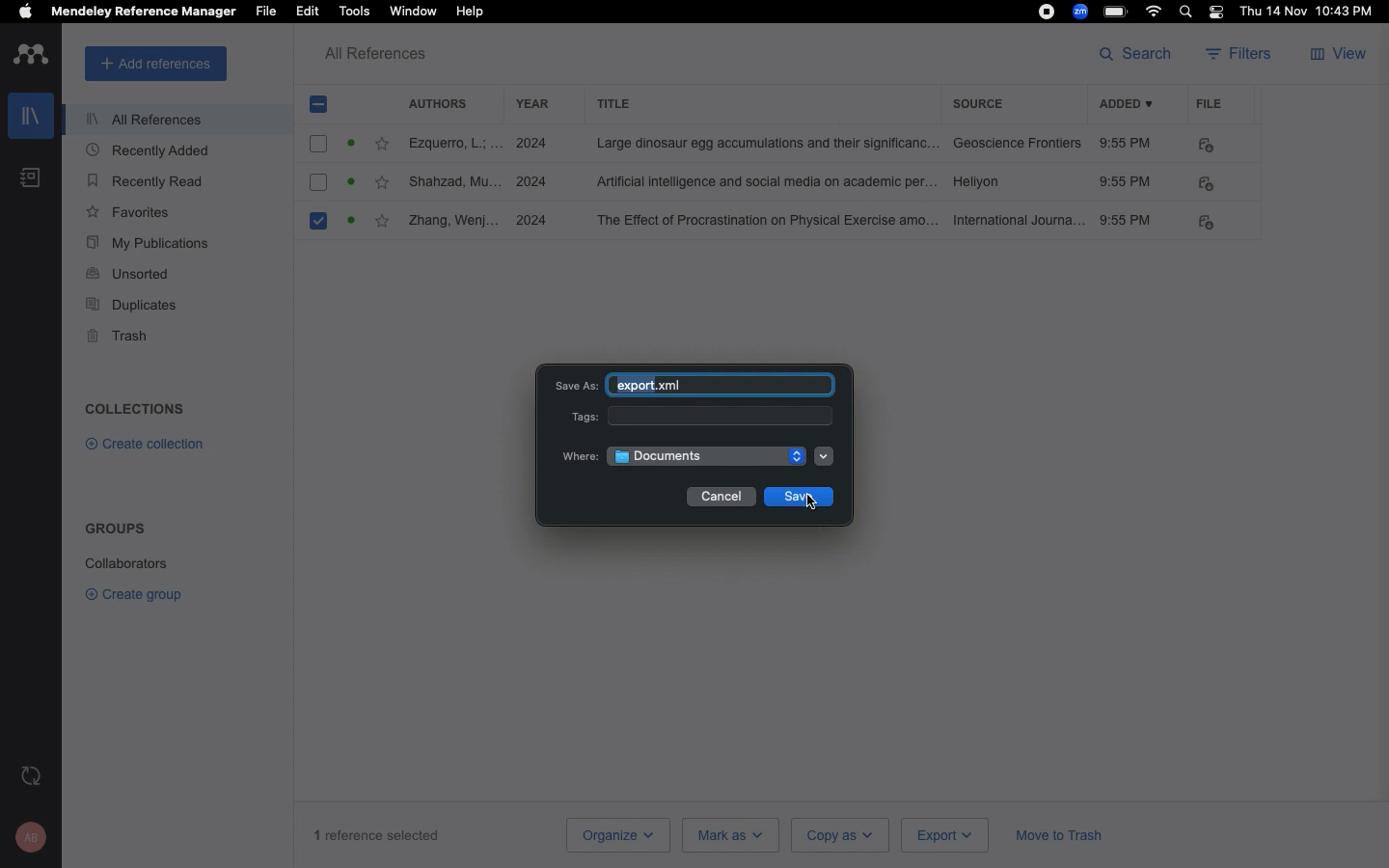 Image resolution: width=1389 pixels, height=868 pixels. Describe the element at coordinates (803, 498) in the screenshot. I see `Save` at that location.